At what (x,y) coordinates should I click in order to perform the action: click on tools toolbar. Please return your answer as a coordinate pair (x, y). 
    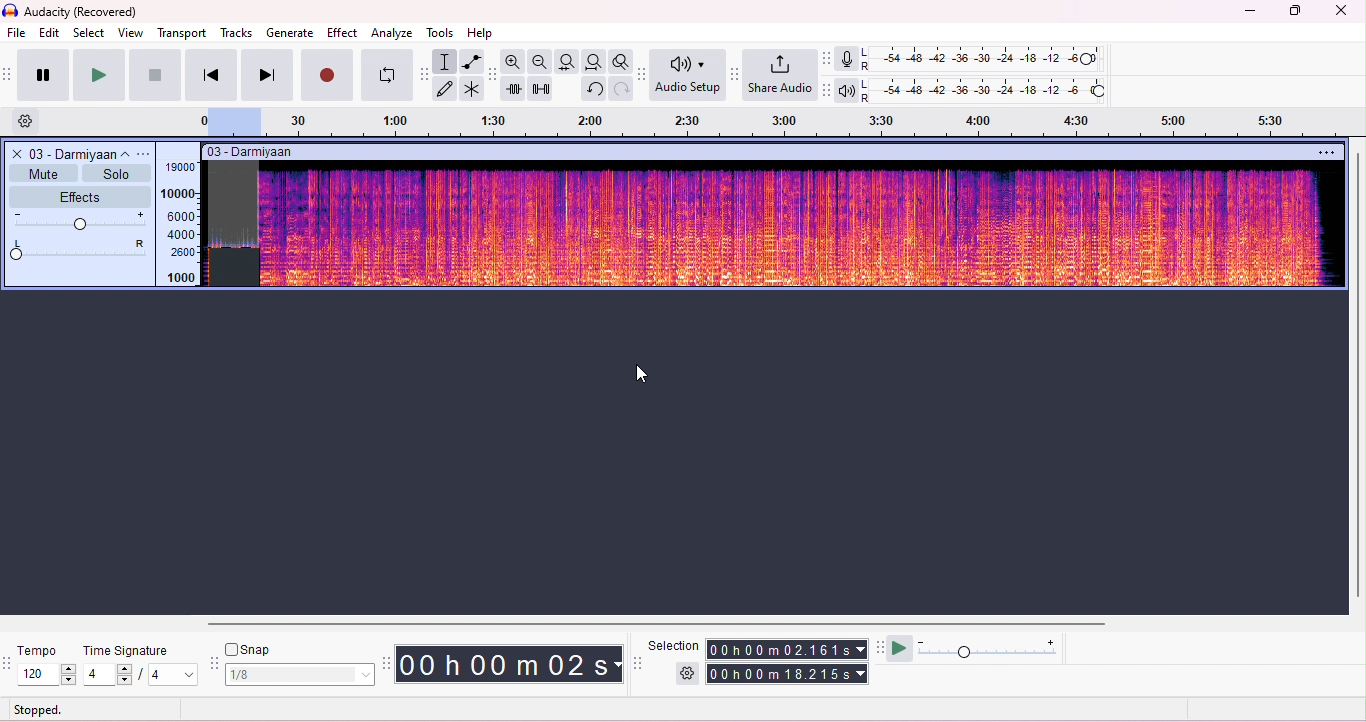
    Looking at the image, I should click on (424, 75).